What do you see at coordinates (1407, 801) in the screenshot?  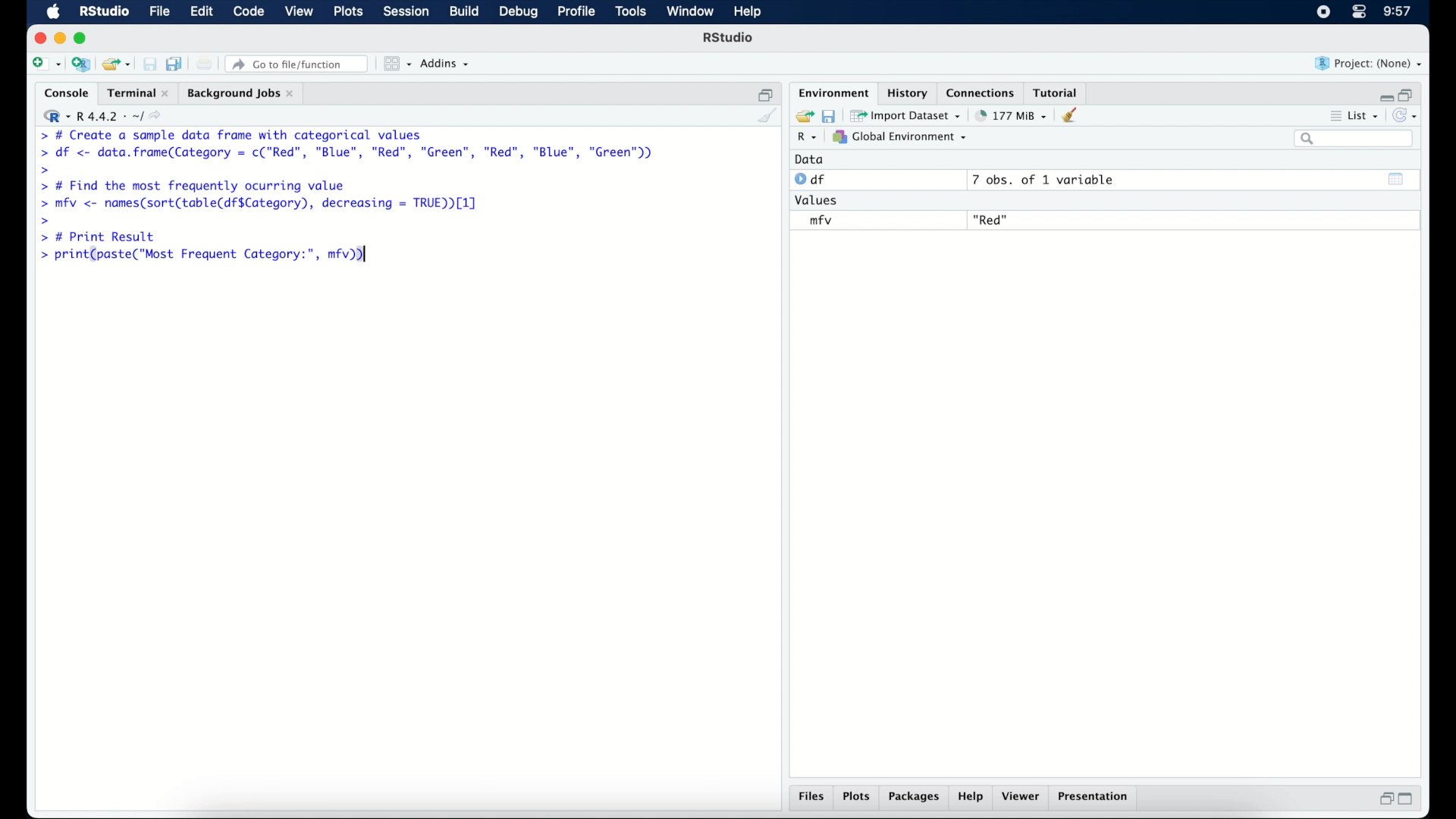 I see `maximize` at bounding box center [1407, 801].